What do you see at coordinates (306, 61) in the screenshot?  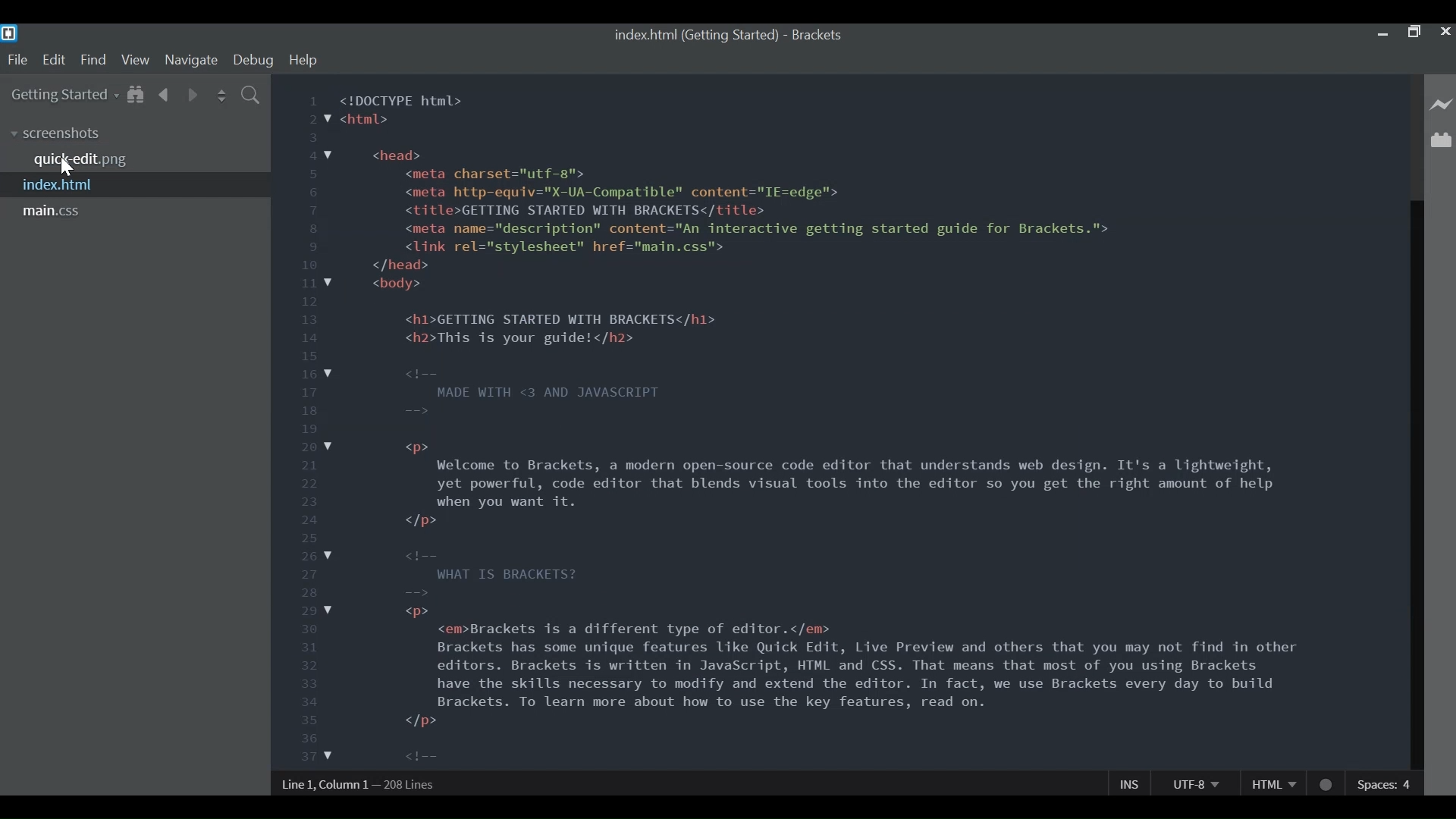 I see `Help` at bounding box center [306, 61].